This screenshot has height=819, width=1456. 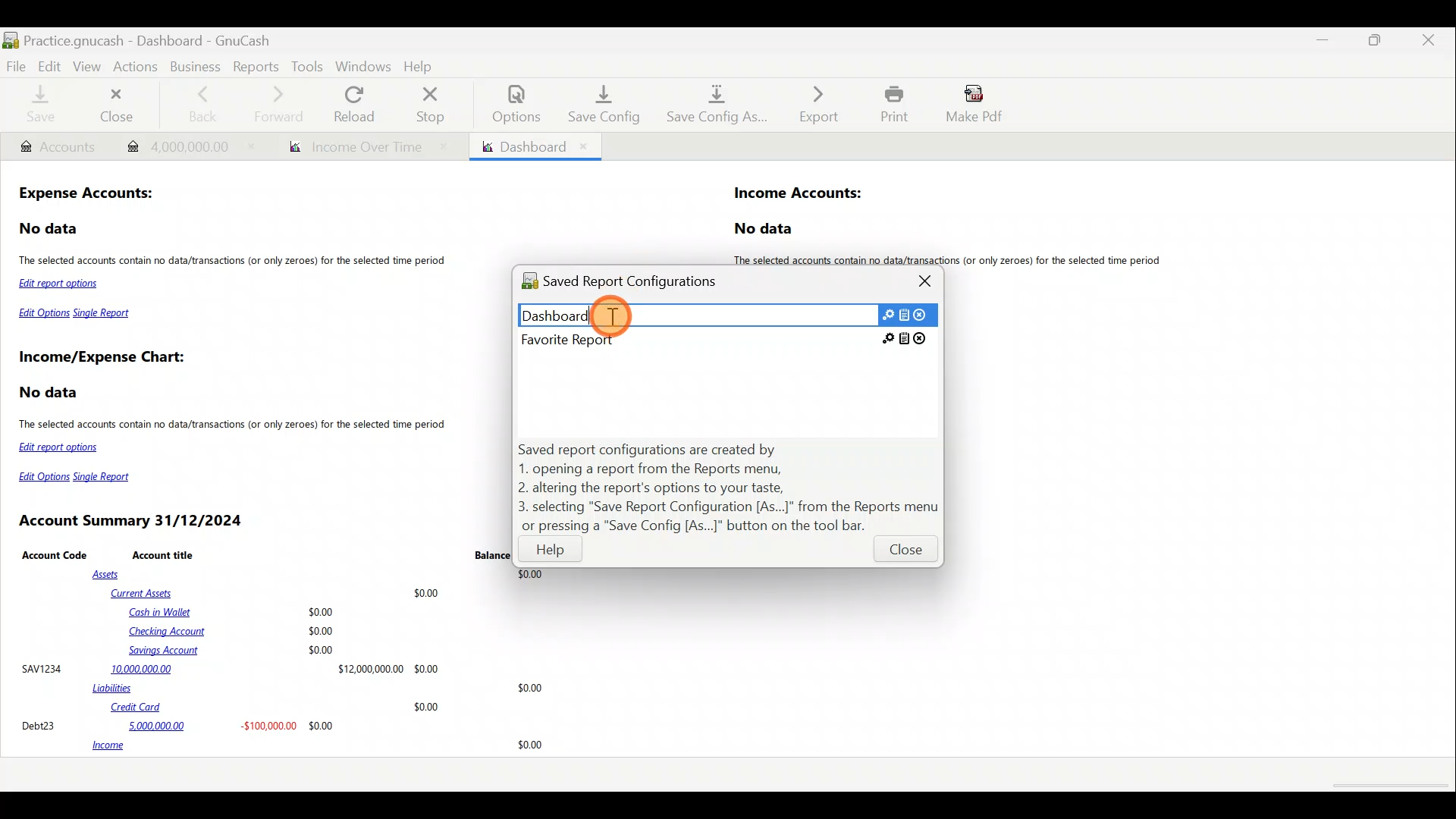 I want to click on scroll, so click(x=1388, y=786).